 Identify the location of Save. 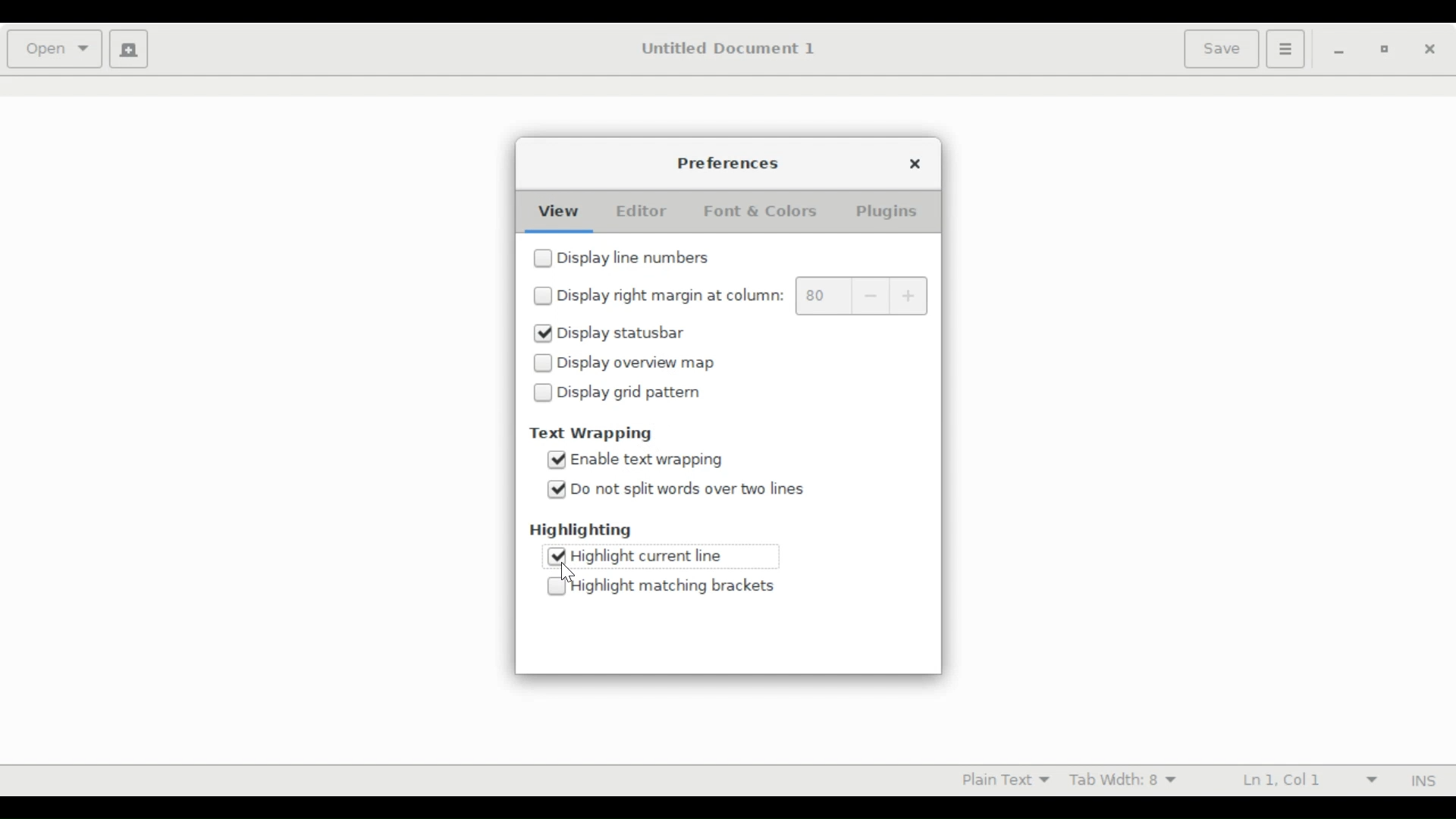
(1221, 48).